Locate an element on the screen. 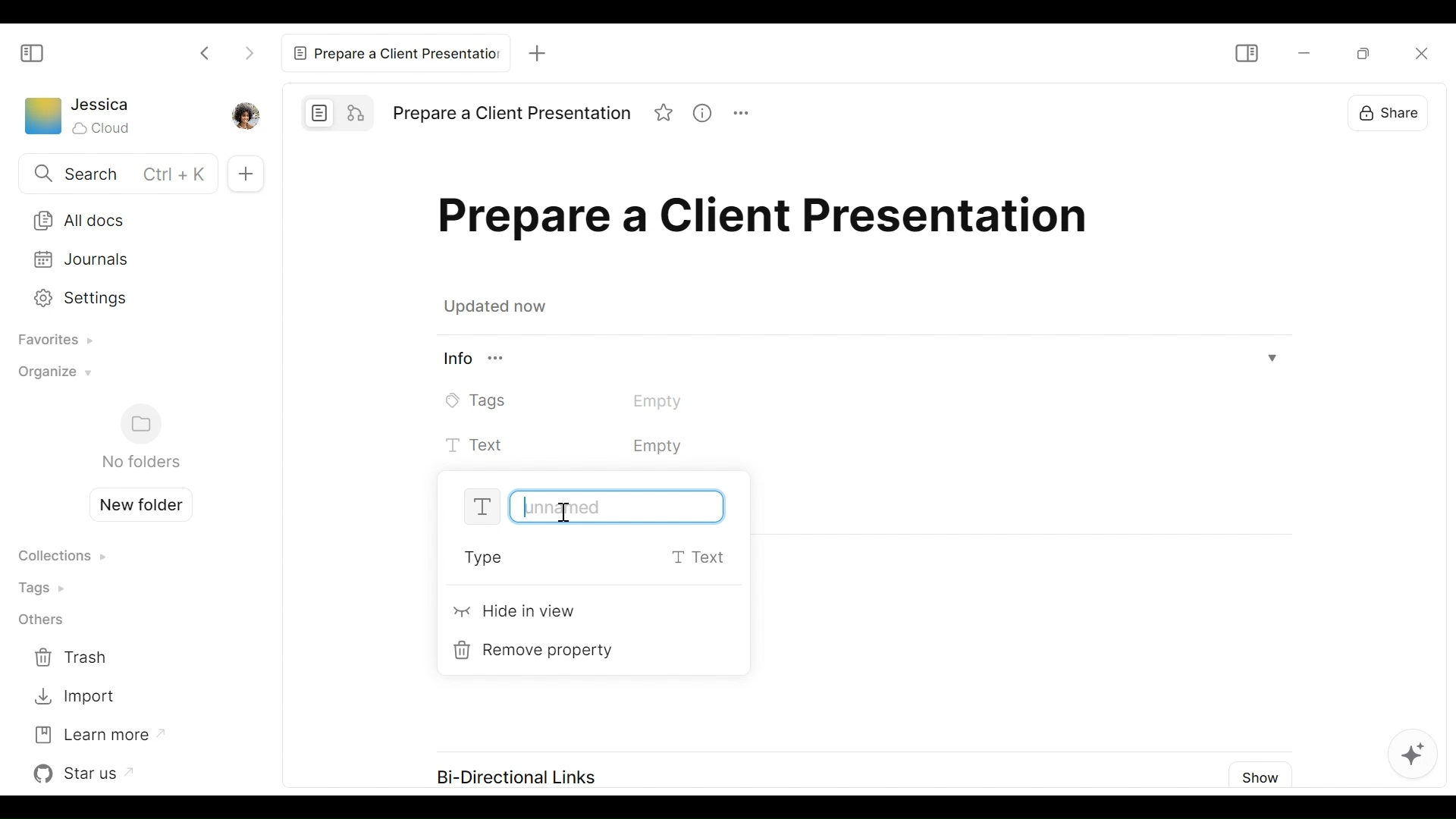  Folders is located at coordinates (140, 438).